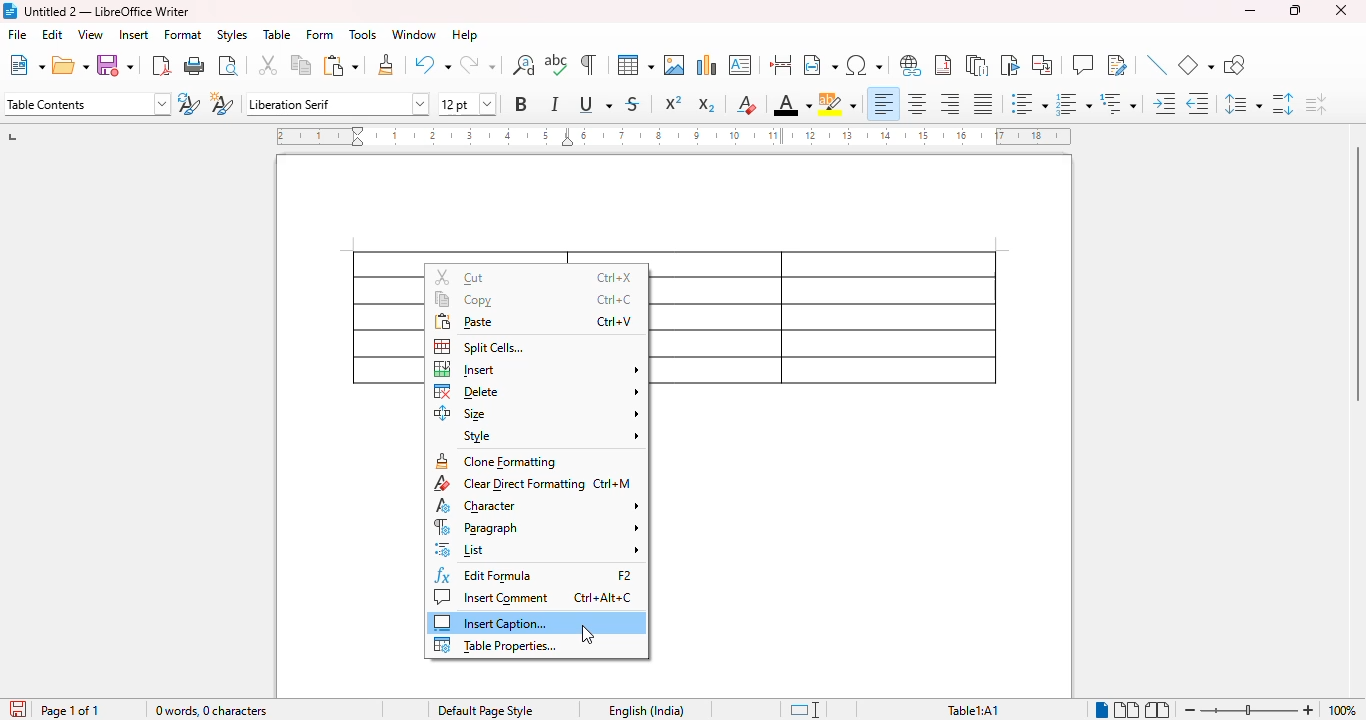 The image size is (1366, 720). What do you see at coordinates (1354, 274) in the screenshot?
I see `vertical scroll bar` at bounding box center [1354, 274].